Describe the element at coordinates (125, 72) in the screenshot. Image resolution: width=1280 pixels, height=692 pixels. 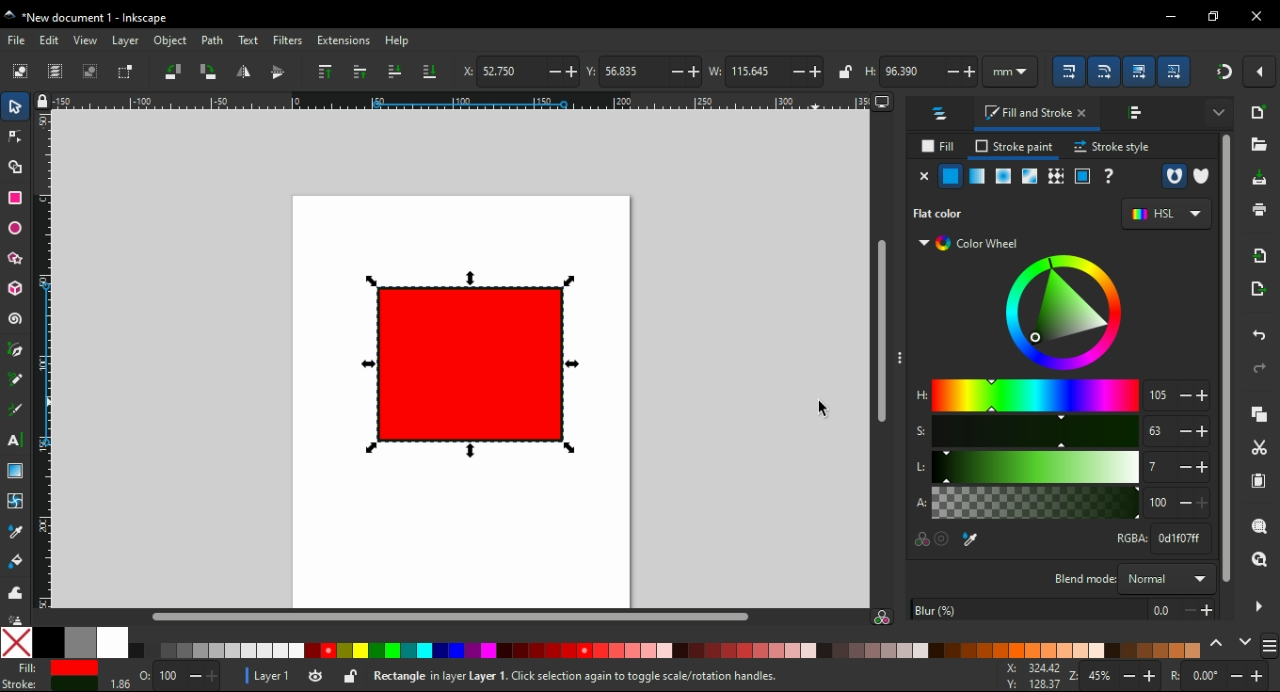
I see `toggle selection box to select all touched objects ` at that location.